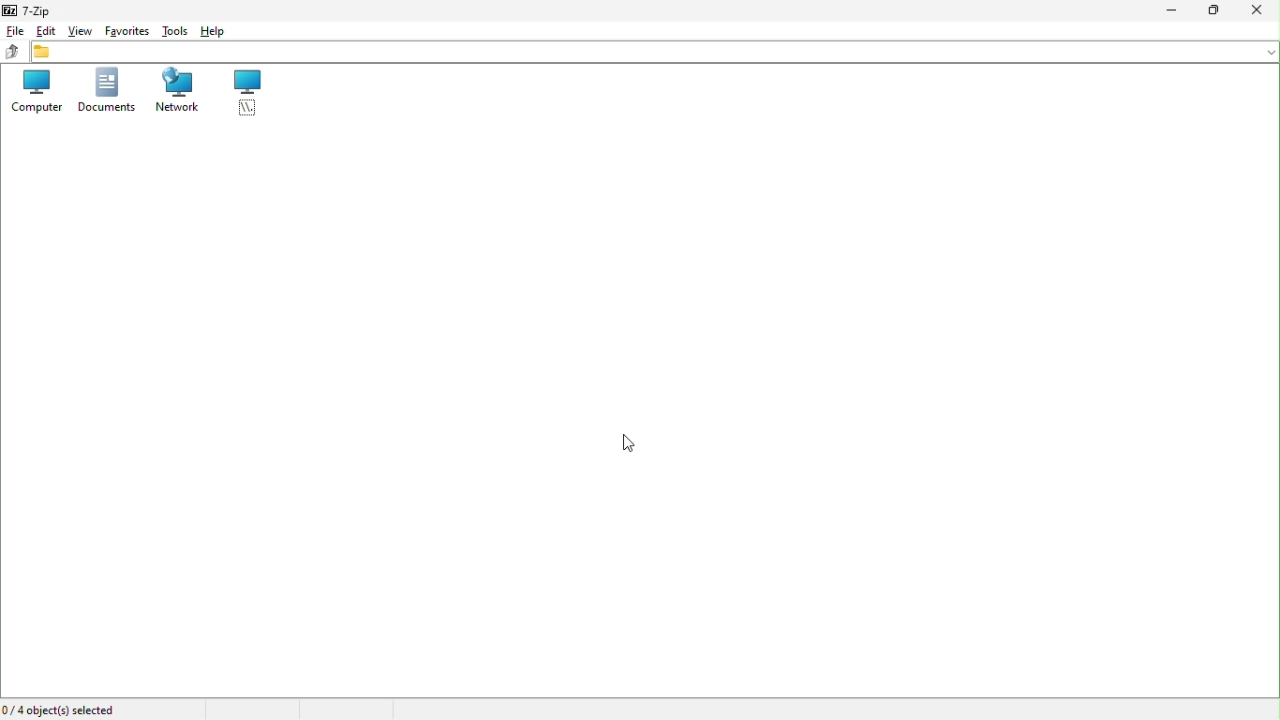  Describe the element at coordinates (175, 26) in the screenshot. I see `Tools` at that location.